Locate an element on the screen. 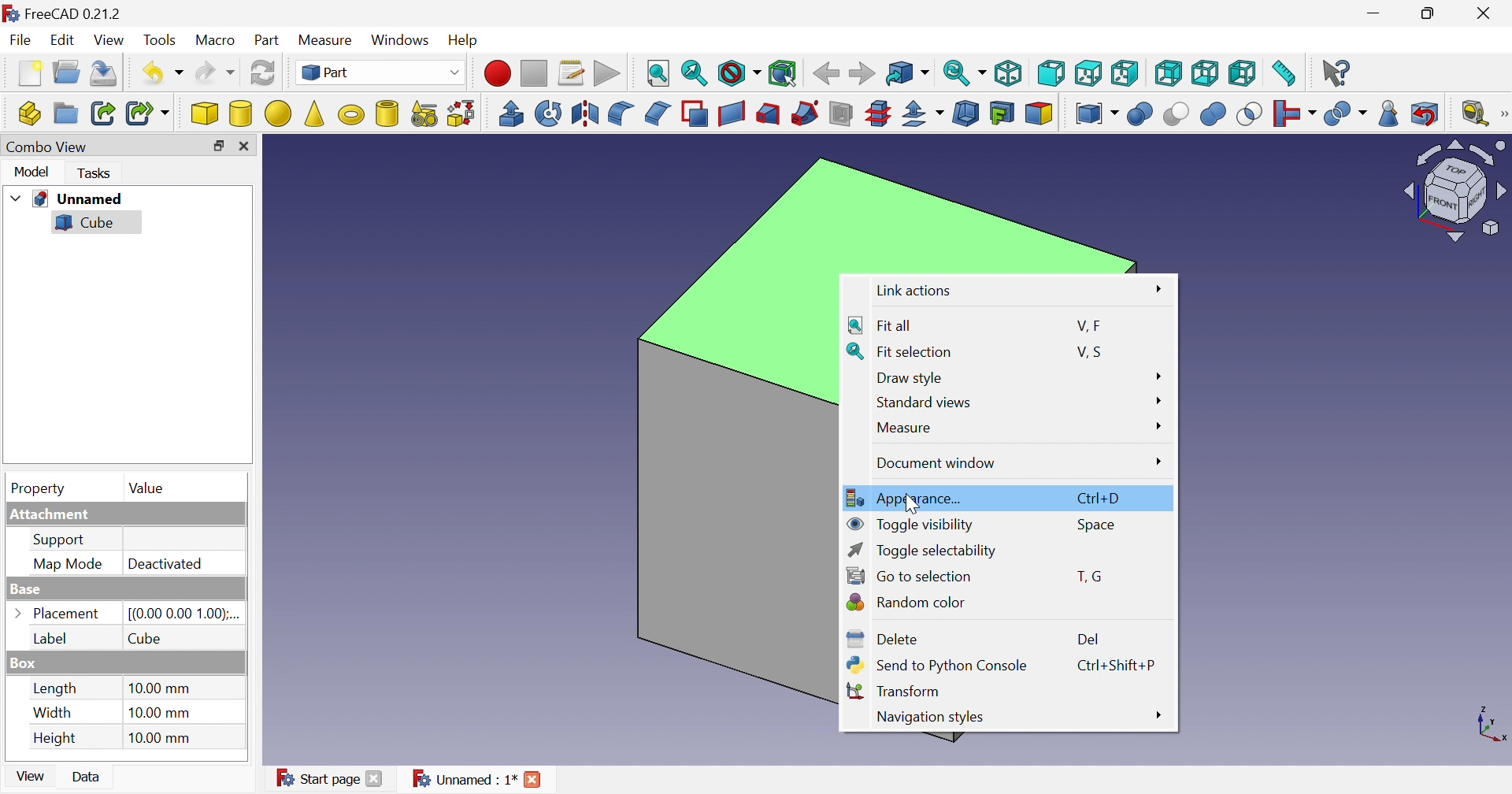 This screenshot has width=1512, height=794. Make link is located at coordinates (100, 113).